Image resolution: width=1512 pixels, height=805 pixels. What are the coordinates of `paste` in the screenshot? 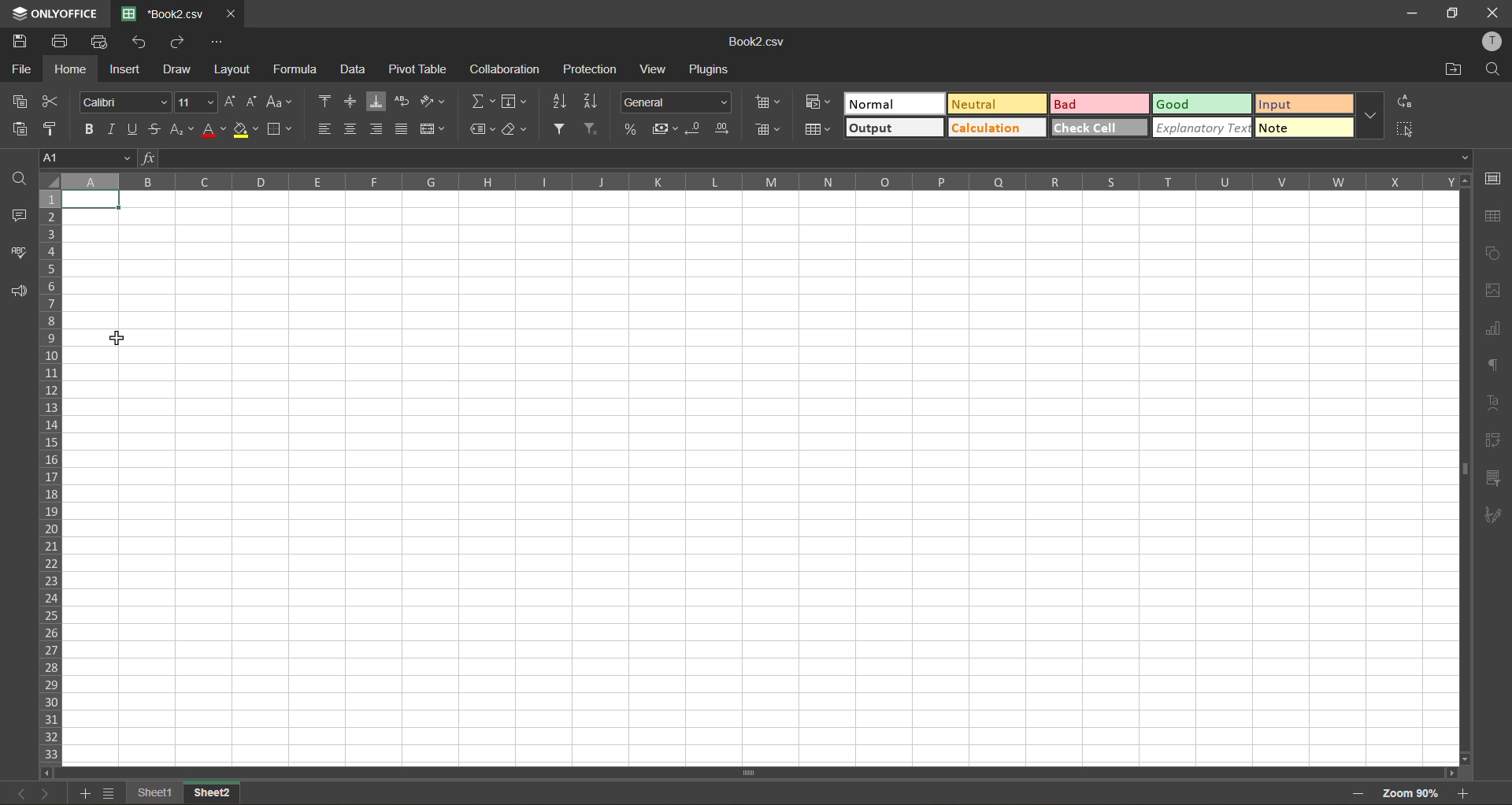 It's located at (19, 128).